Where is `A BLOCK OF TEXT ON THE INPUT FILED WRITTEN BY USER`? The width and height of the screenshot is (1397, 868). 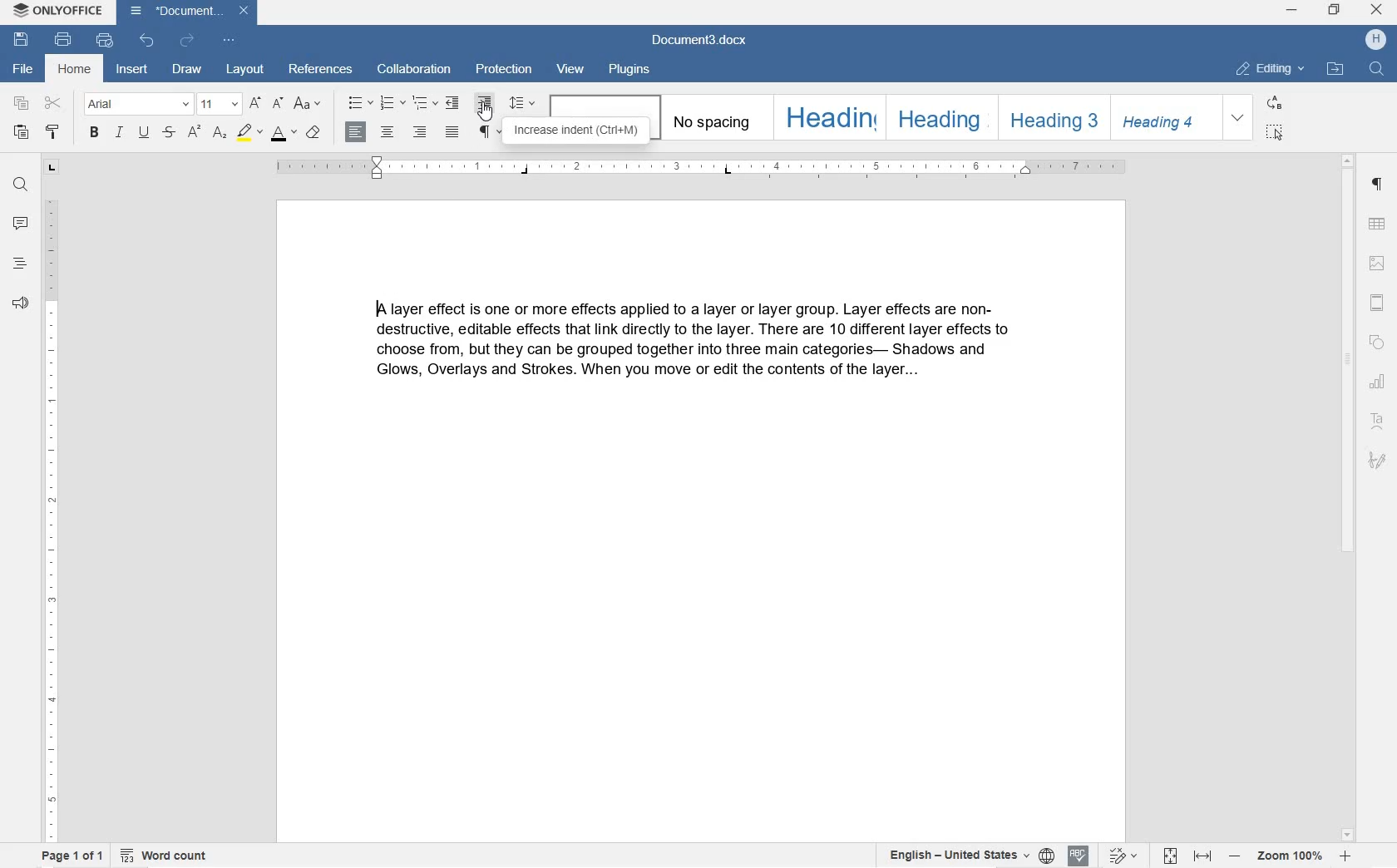
A BLOCK OF TEXT ON THE INPUT FILED WRITTEN BY USER is located at coordinates (706, 350).